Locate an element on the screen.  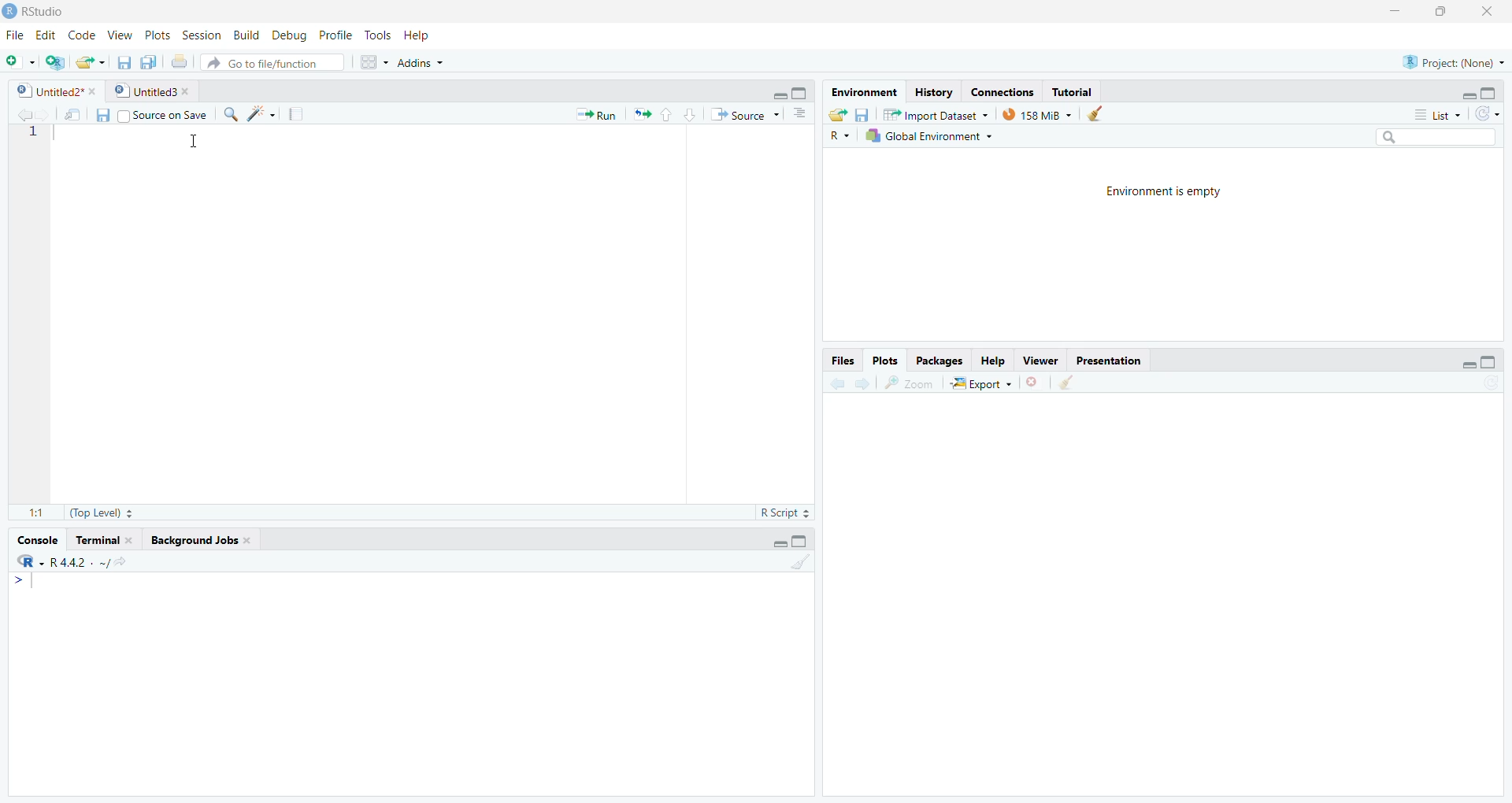
show in new window is located at coordinates (1078, 382).